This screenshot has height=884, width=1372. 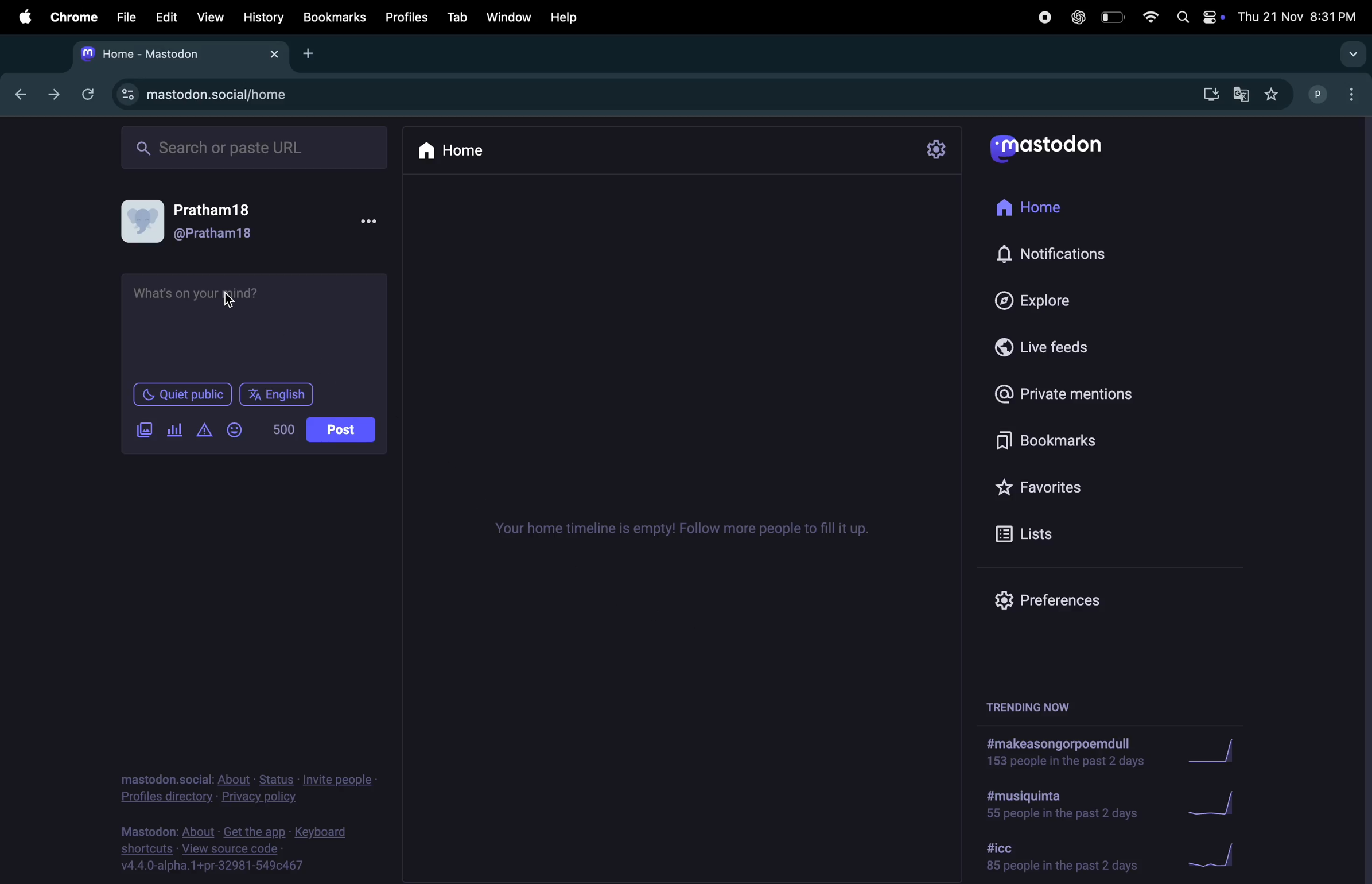 I want to click on user, so click(x=220, y=209).